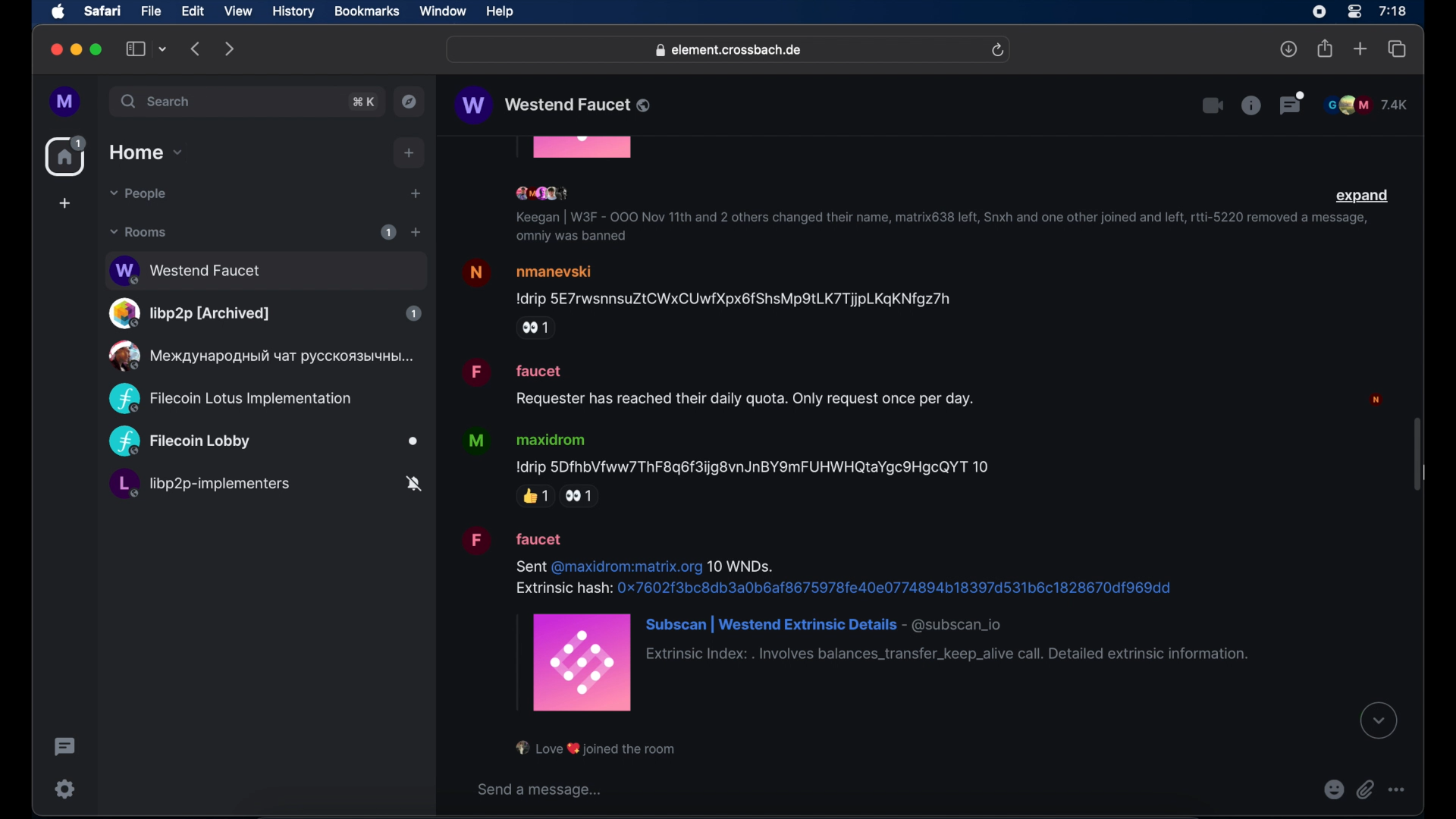  Describe the element at coordinates (1379, 721) in the screenshot. I see `see latest message` at that location.